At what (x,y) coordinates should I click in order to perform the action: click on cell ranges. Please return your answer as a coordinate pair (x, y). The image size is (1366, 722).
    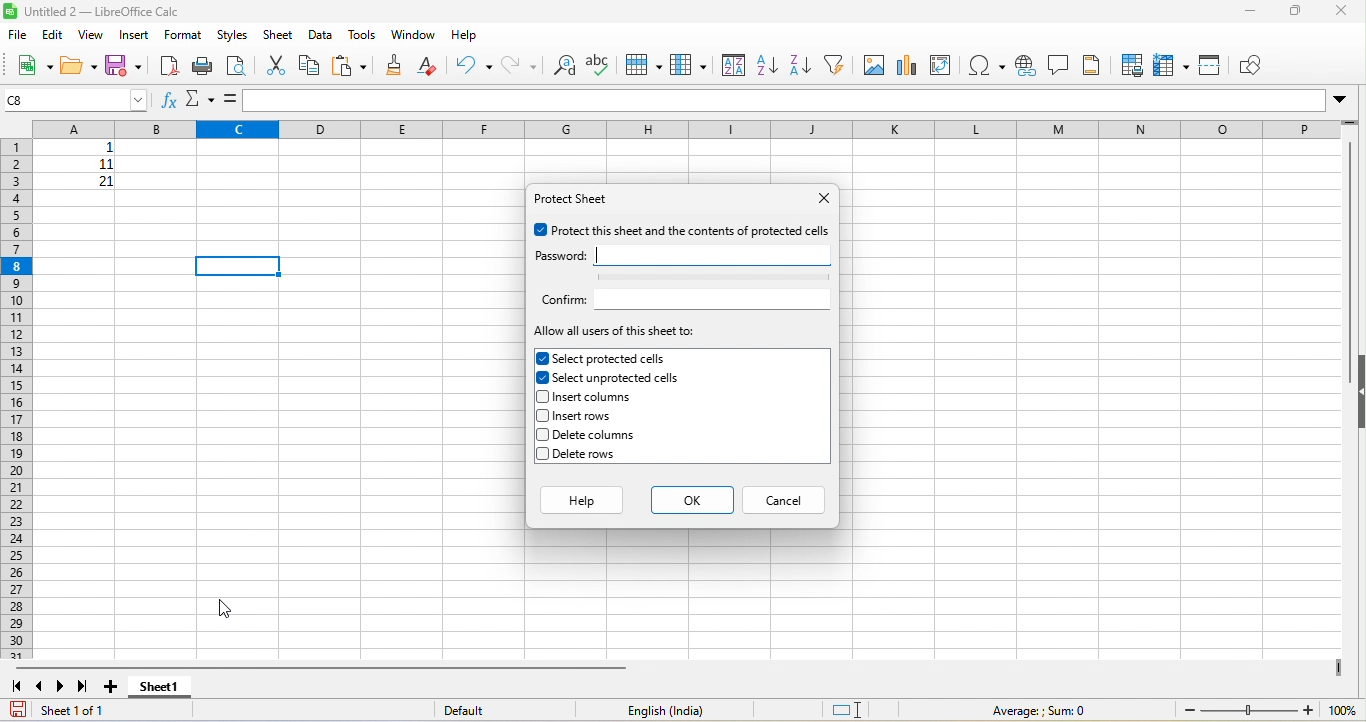
    Looking at the image, I should click on (88, 171).